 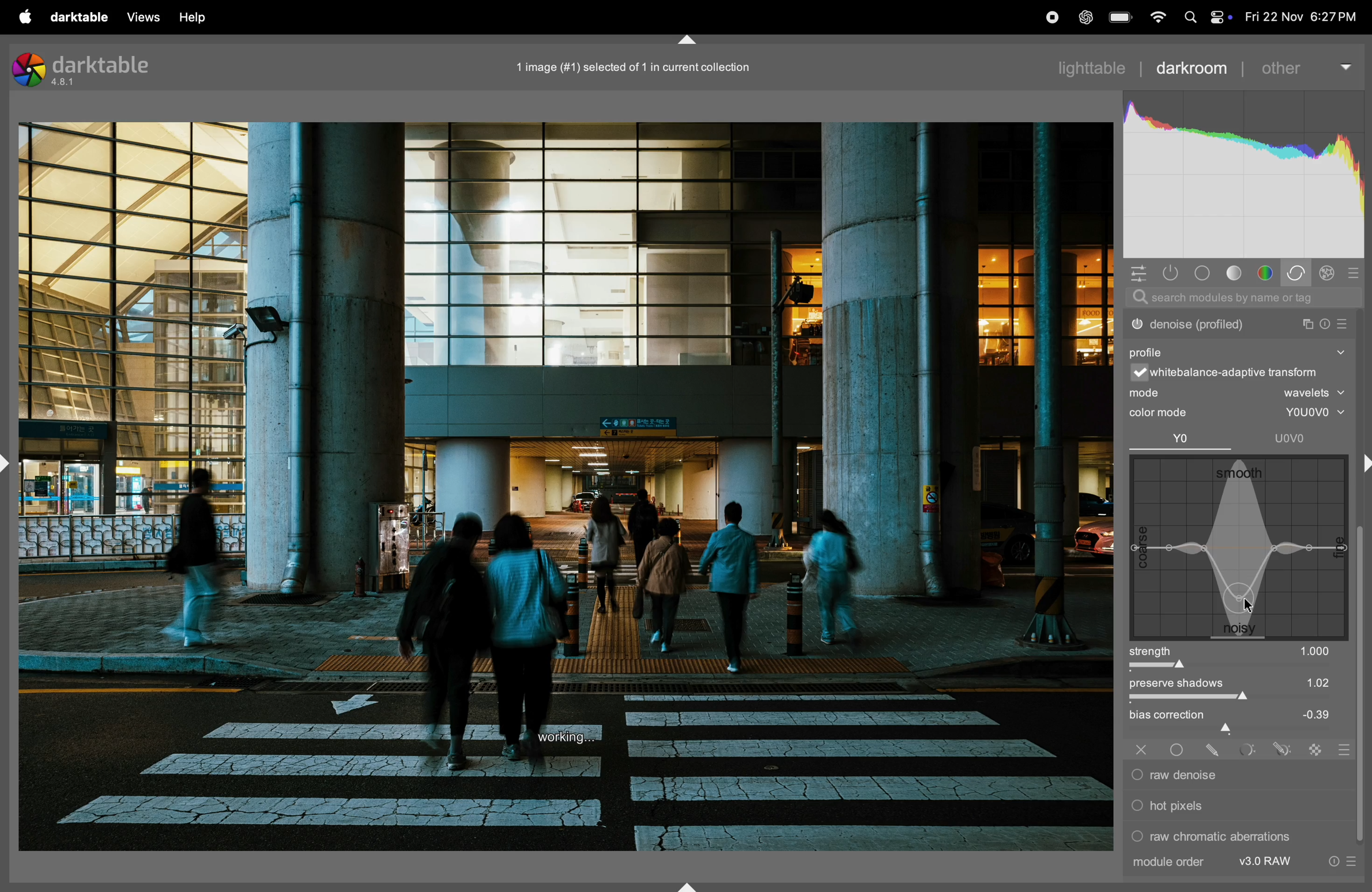 I want to click on presets, so click(x=1342, y=324).